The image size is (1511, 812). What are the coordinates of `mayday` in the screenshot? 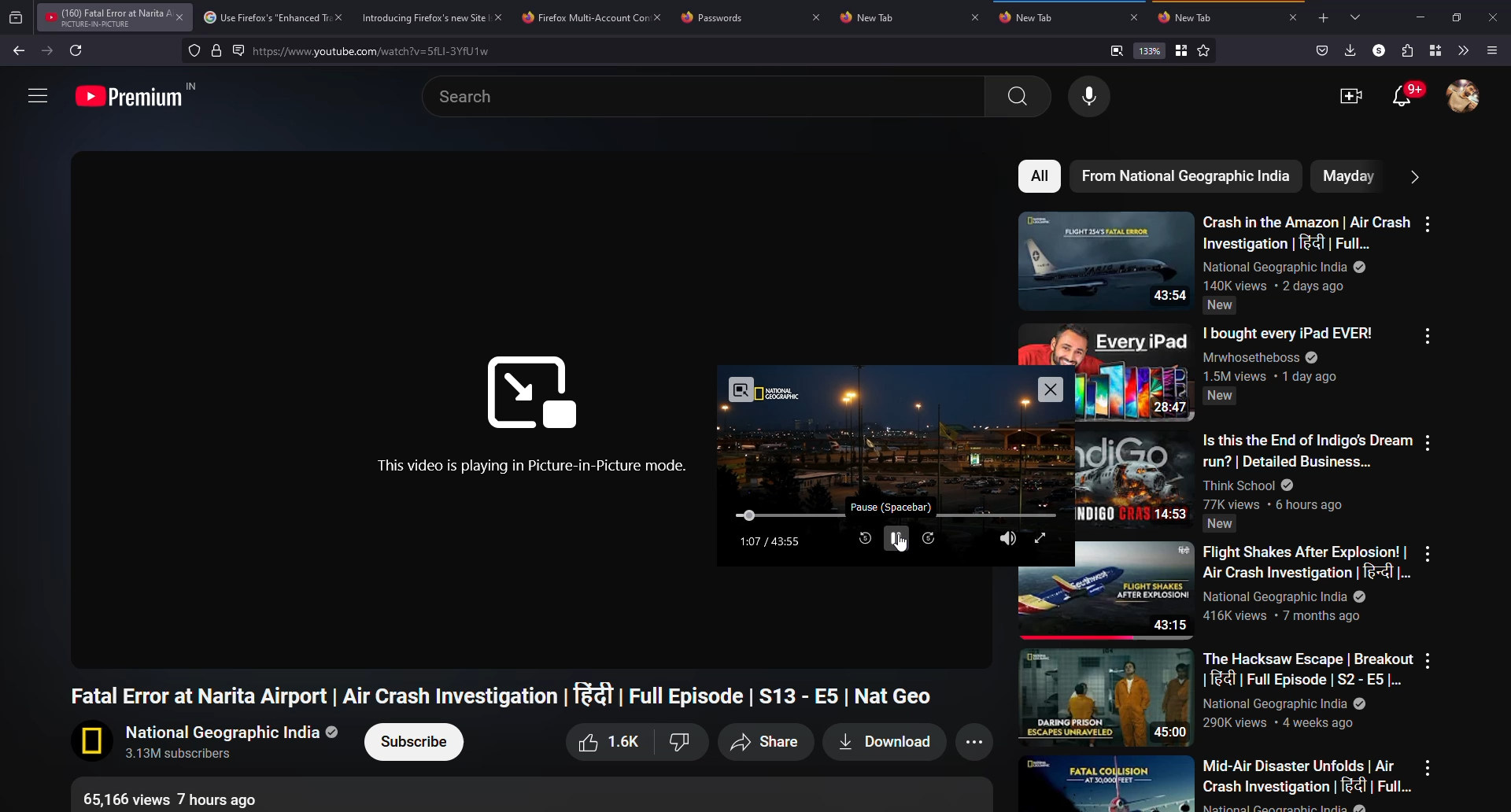 It's located at (1346, 175).